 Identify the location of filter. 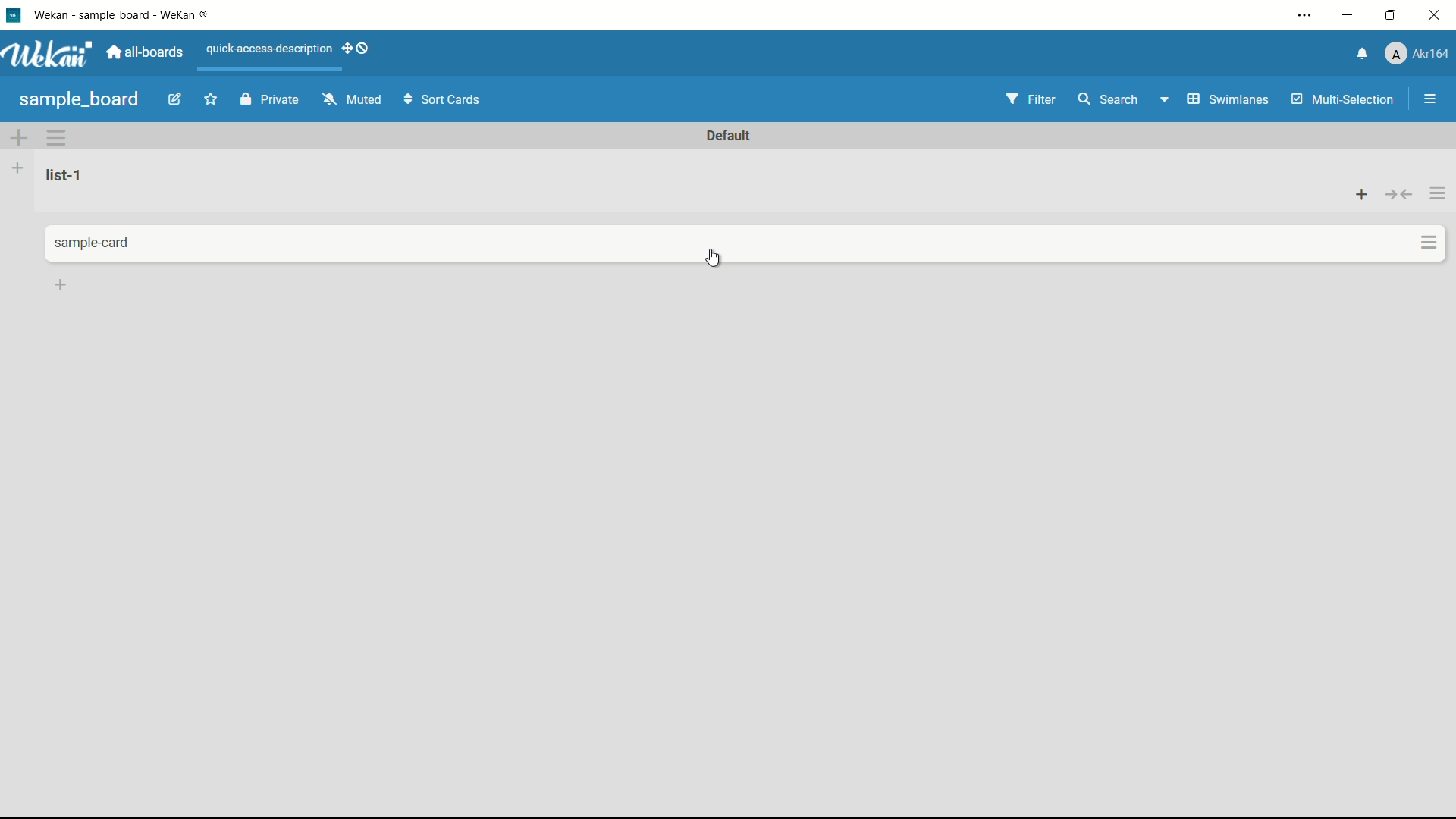
(1031, 100).